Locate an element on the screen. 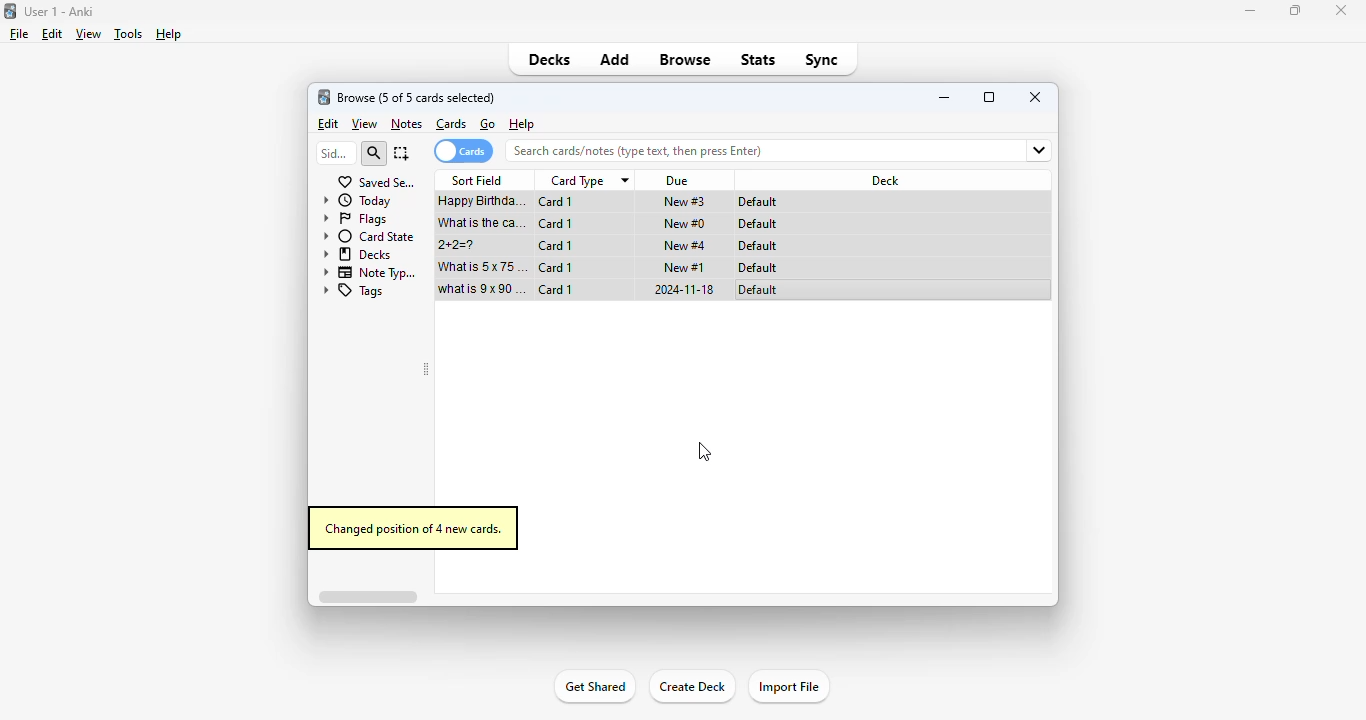 The height and width of the screenshot is (720, 1366). card 1 is located at coordinates (556, 224).